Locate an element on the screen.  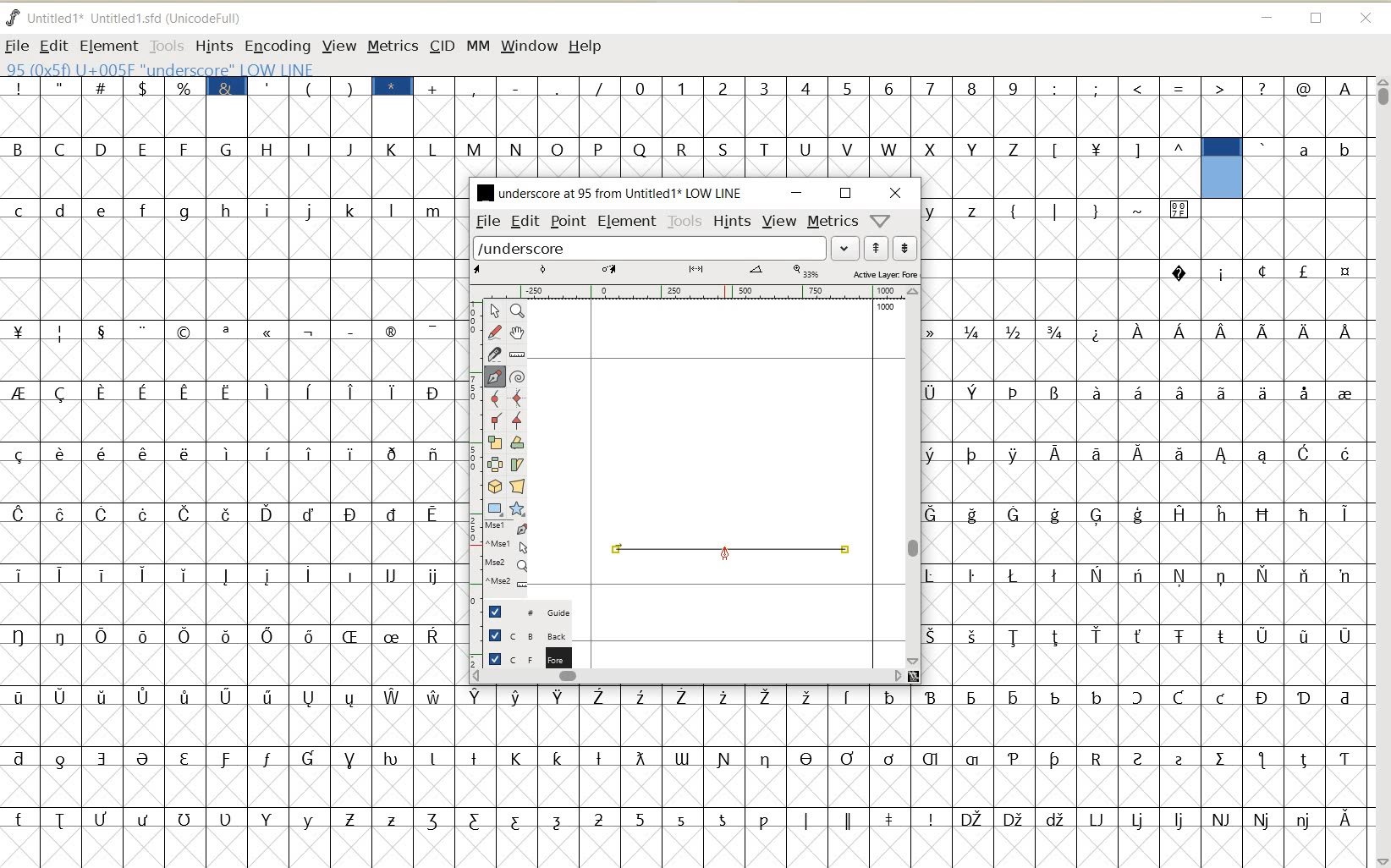
SCALE is located at coordinates (471, 447).